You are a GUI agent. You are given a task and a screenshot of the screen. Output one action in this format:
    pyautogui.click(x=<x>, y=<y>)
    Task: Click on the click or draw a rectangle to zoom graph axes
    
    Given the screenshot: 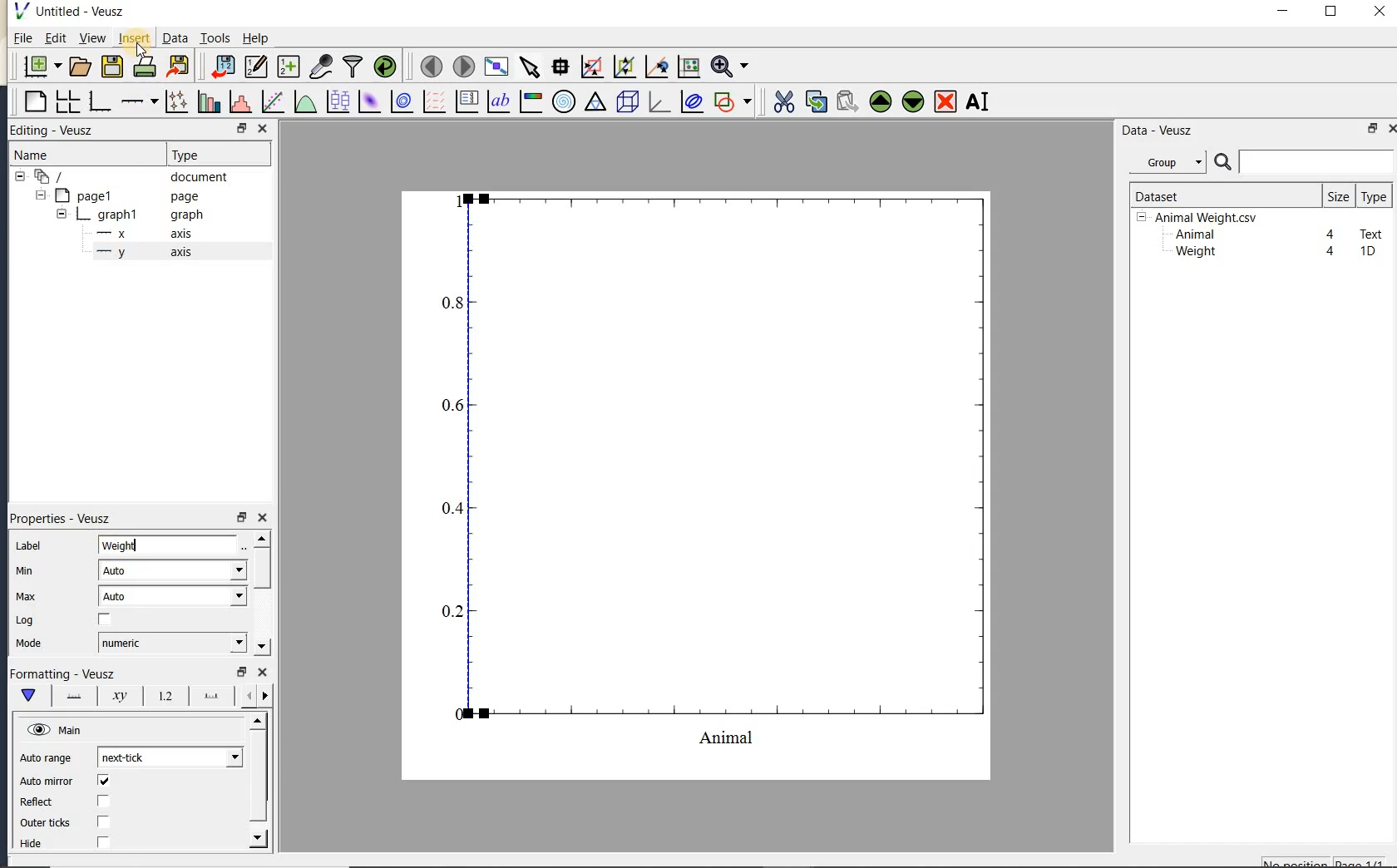 What is the action you would take?
    pyautogui.click(x=591, y=67)
    